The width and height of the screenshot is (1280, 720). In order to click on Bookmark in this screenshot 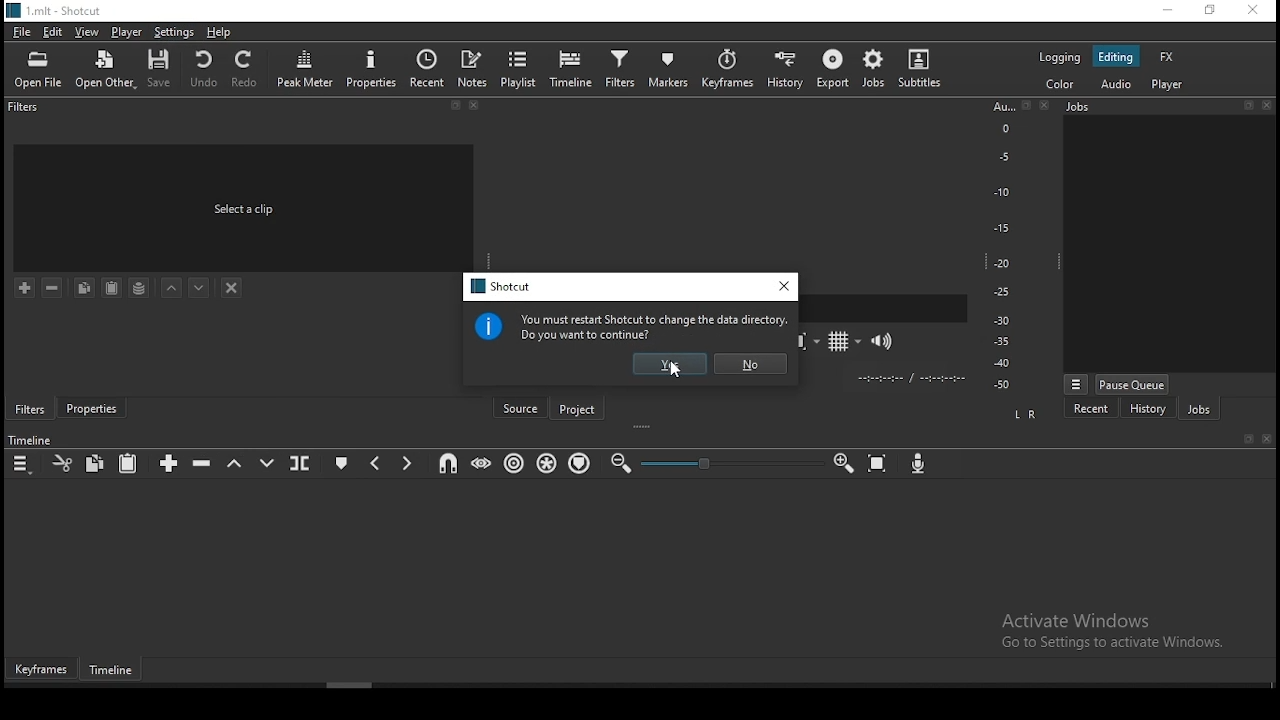, I will do `click(1248, 439)`.